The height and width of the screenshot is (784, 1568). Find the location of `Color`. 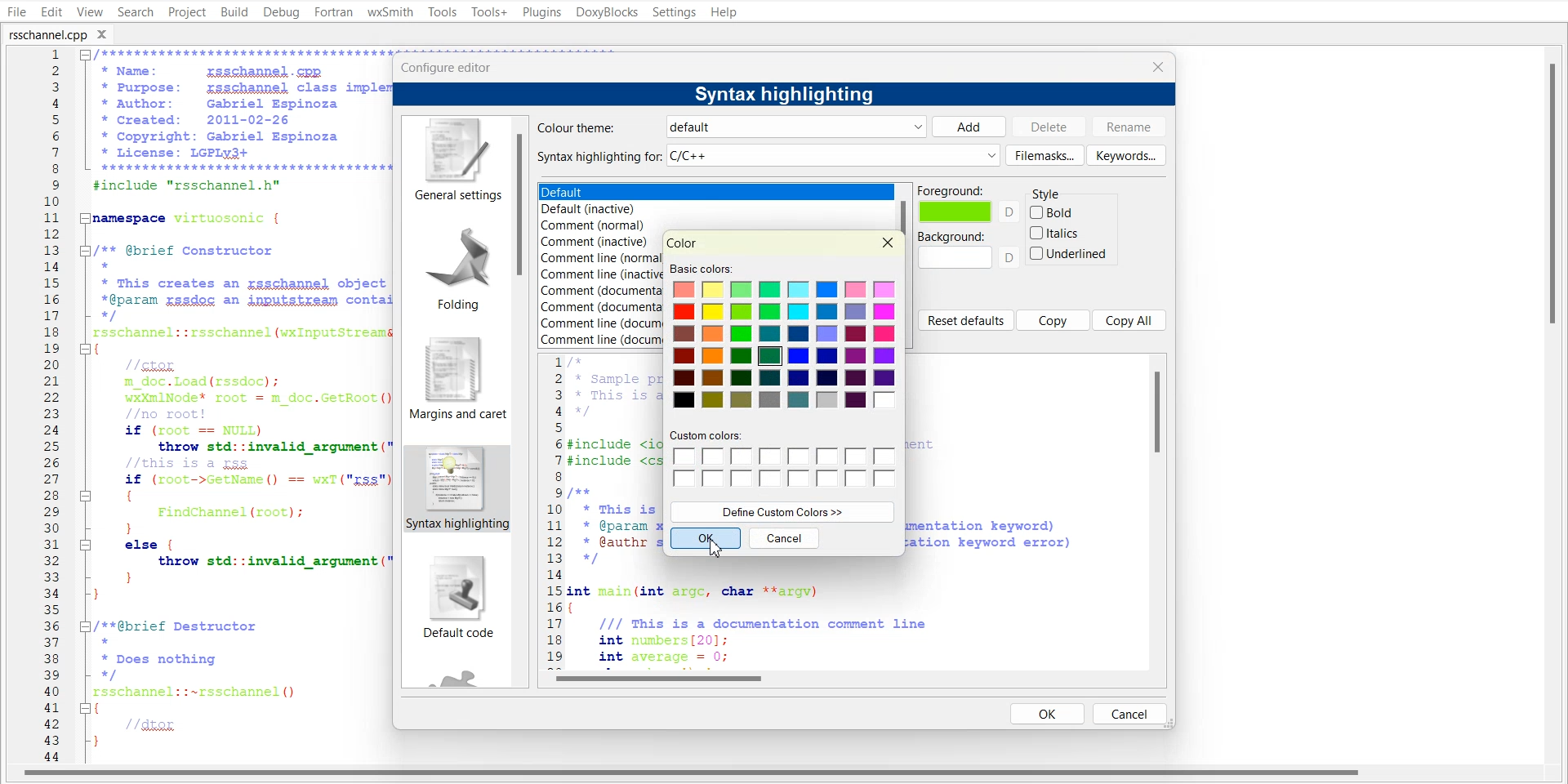

Color is located at coordinates (683, 243).